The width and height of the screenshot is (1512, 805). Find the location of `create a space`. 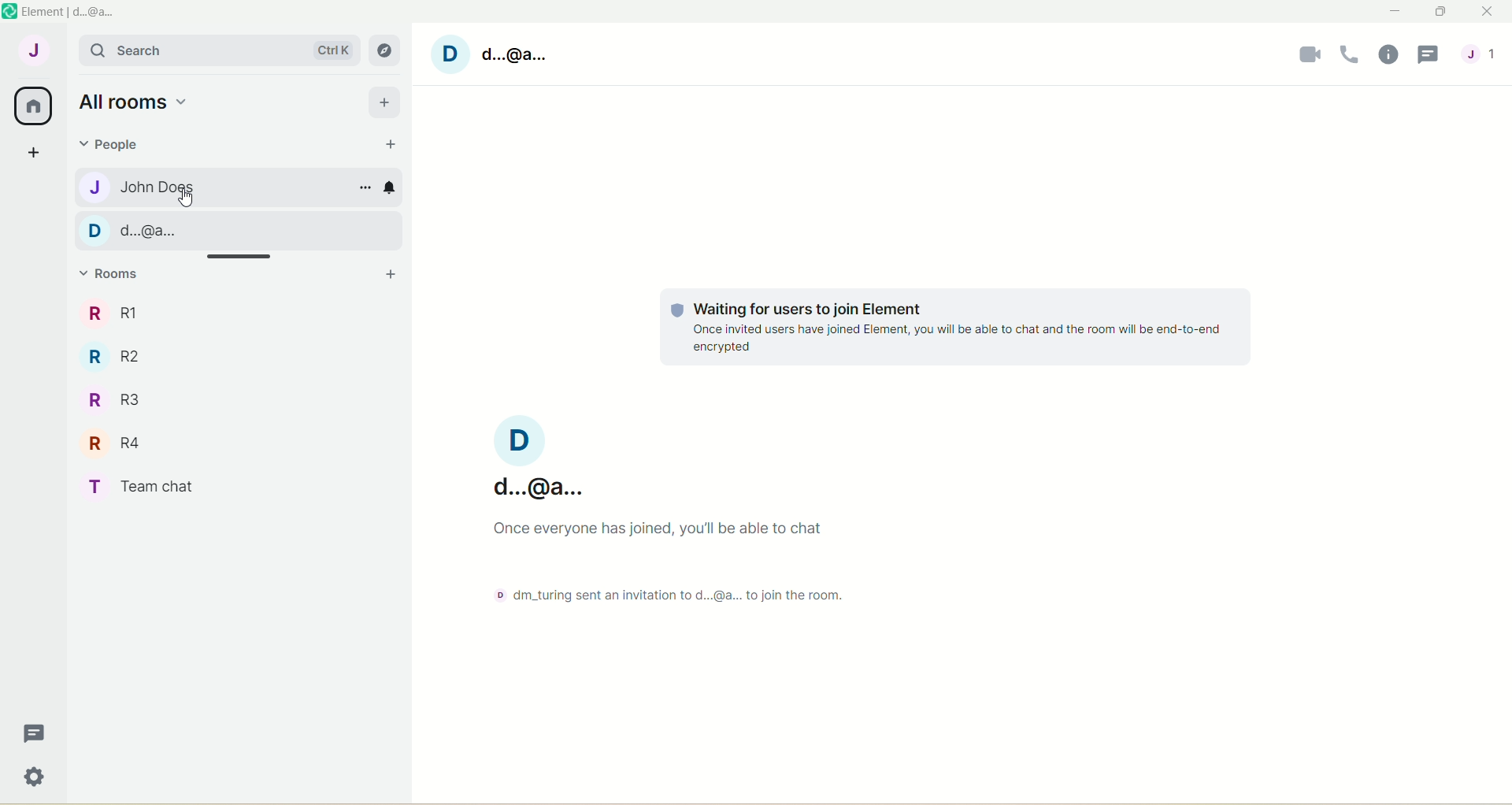

create a space is located at coordinates (35, 154).